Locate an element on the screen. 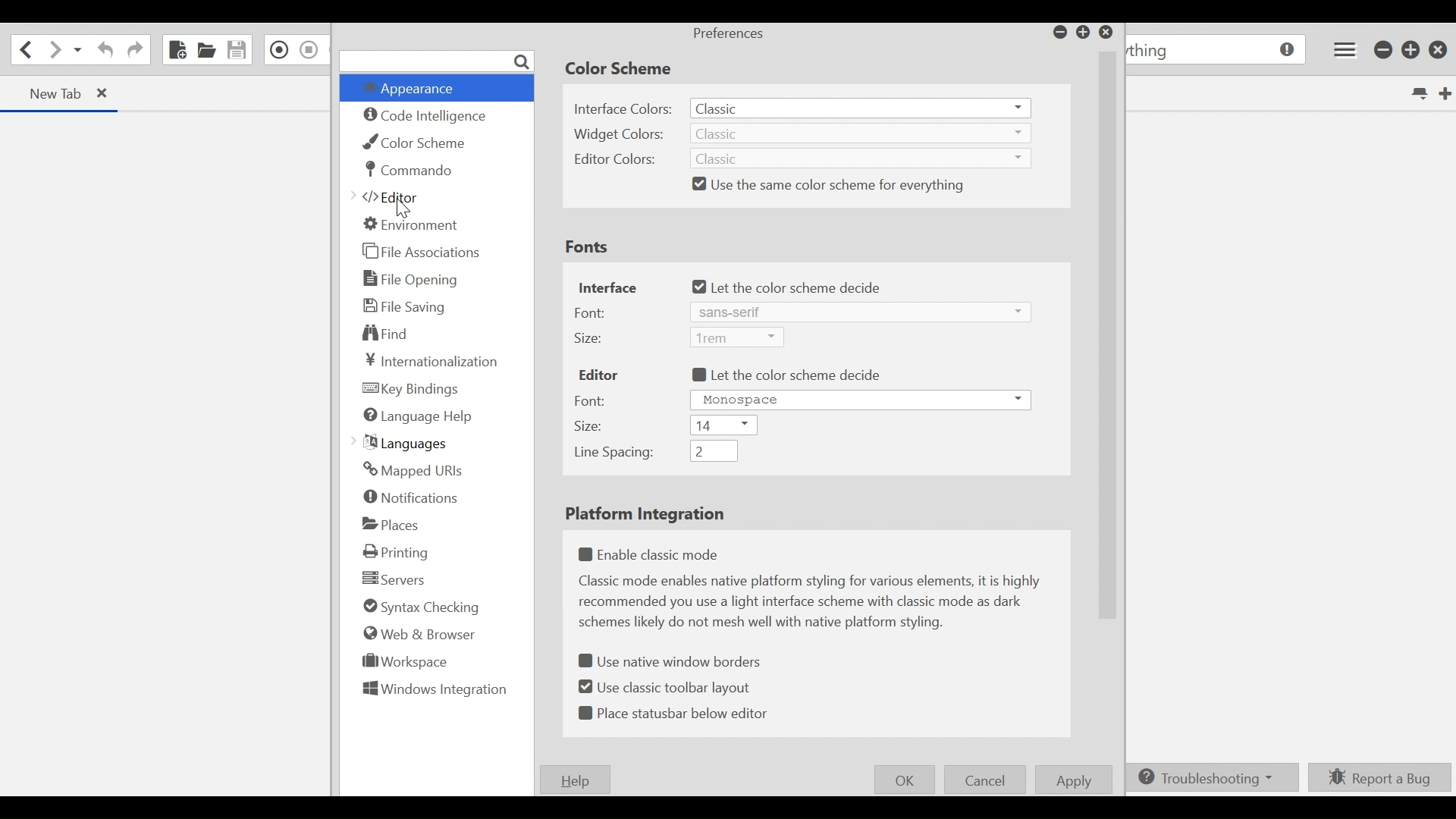 Image resolution: width=1456 pixels, height=819 pixels. Undo last action is located at coordinates (105, 51).